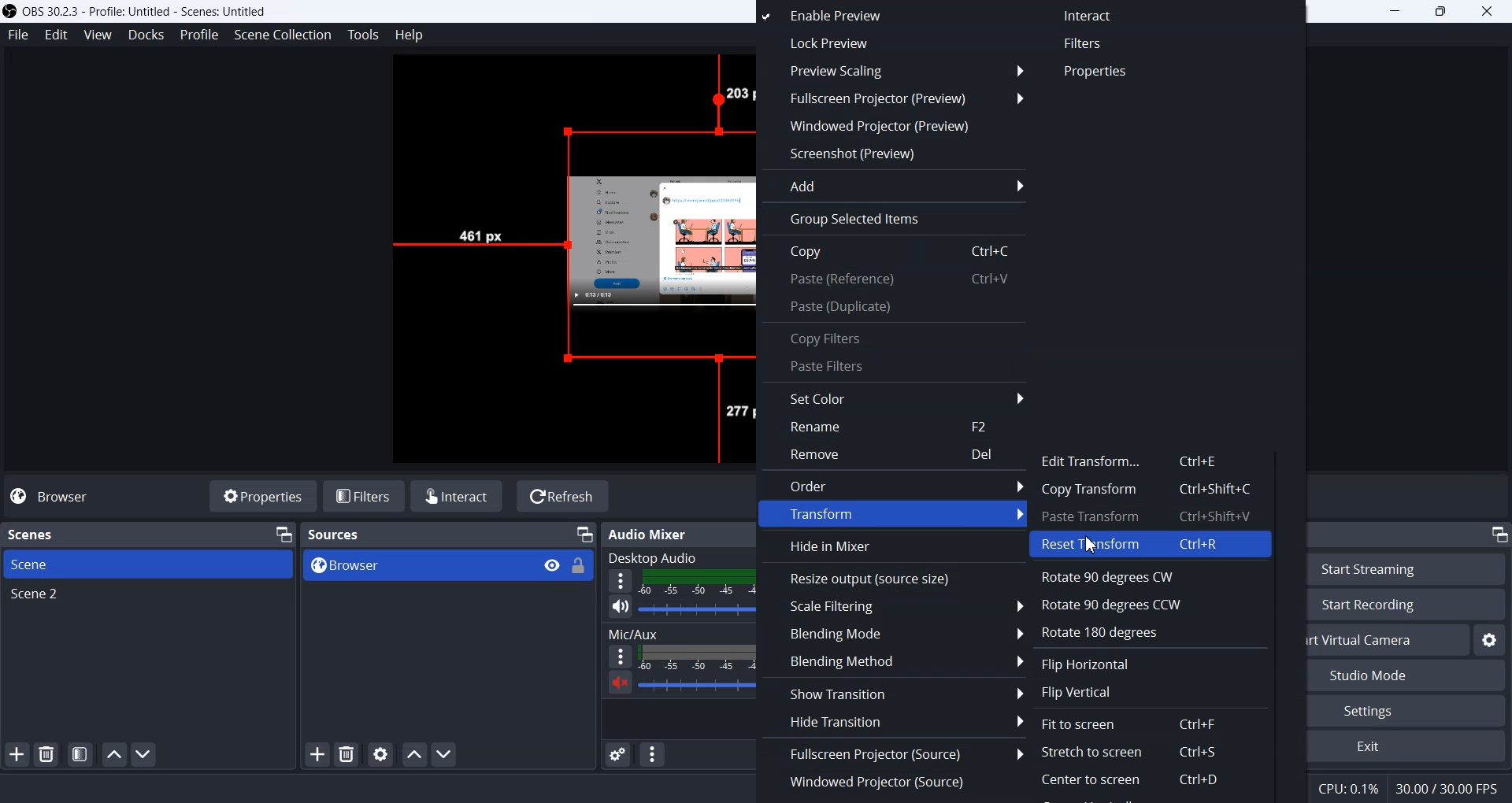  Describe the element at coordinates (895, 365) in the screenshot. I see `Paste Filters` at that location.